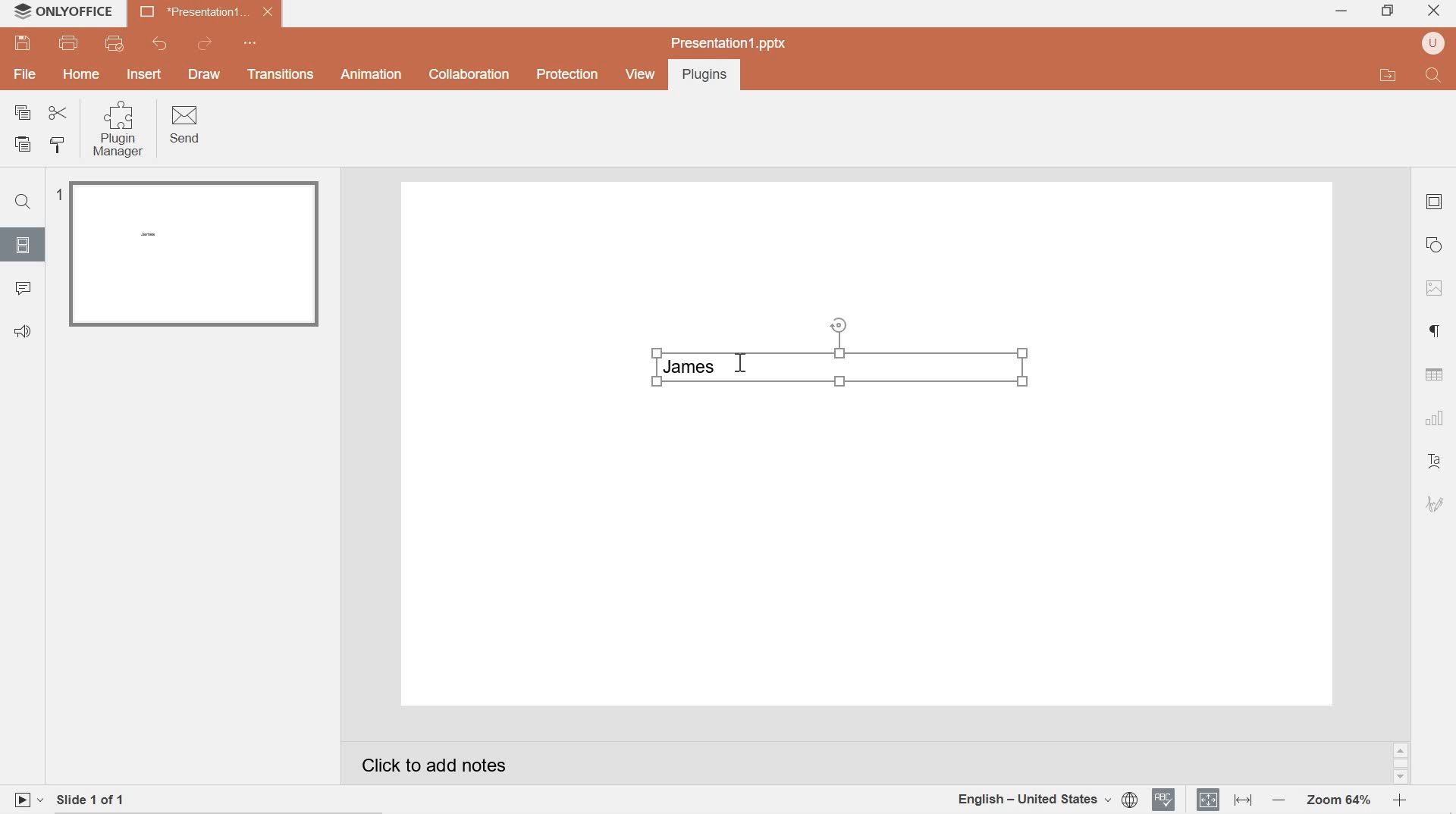 This screenshot has height=814, width=1456. Describe the element at coordinates (1436, 504) in the screenshot. I see `signature` at that location.